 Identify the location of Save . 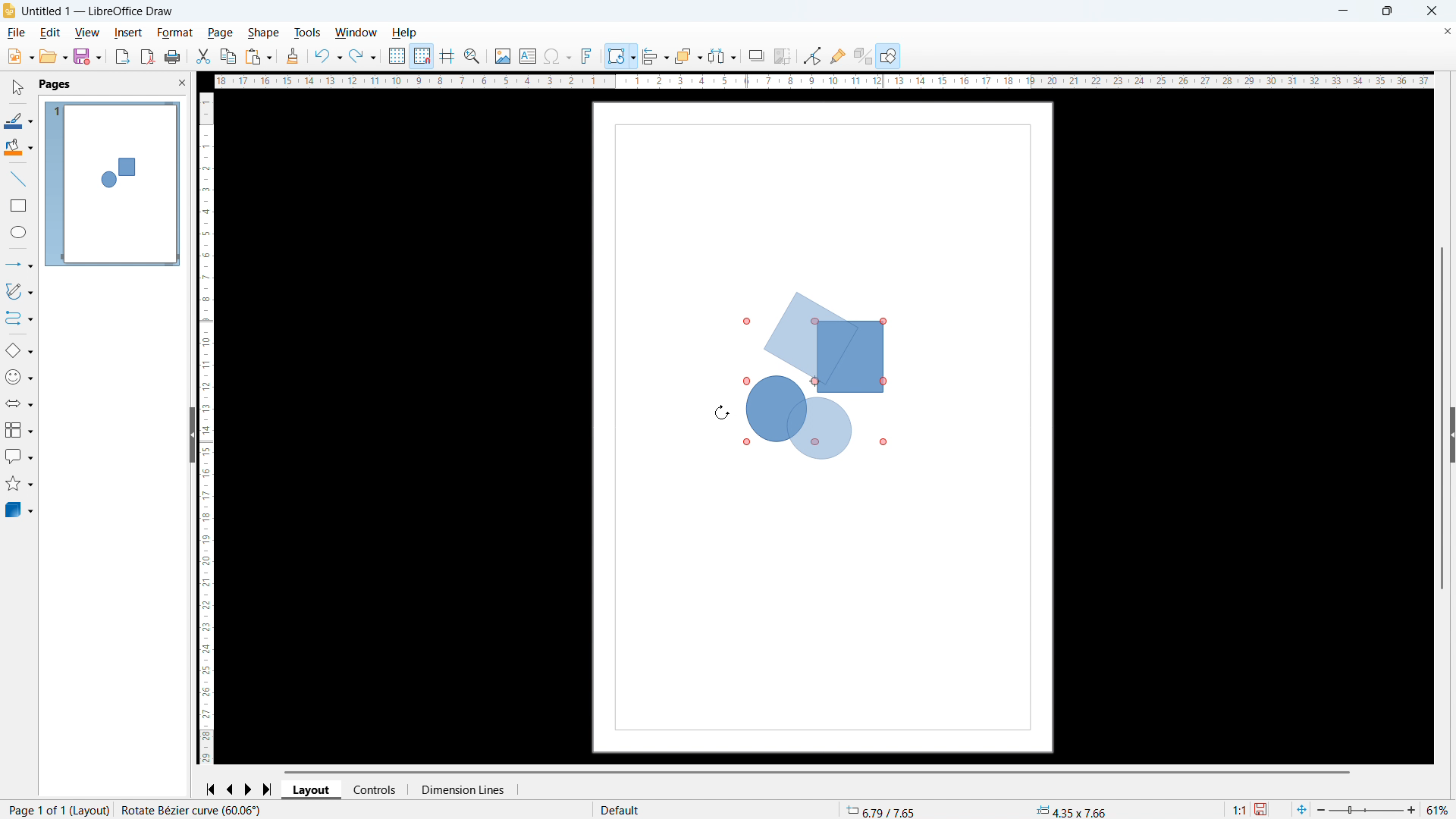
(1262, 810).